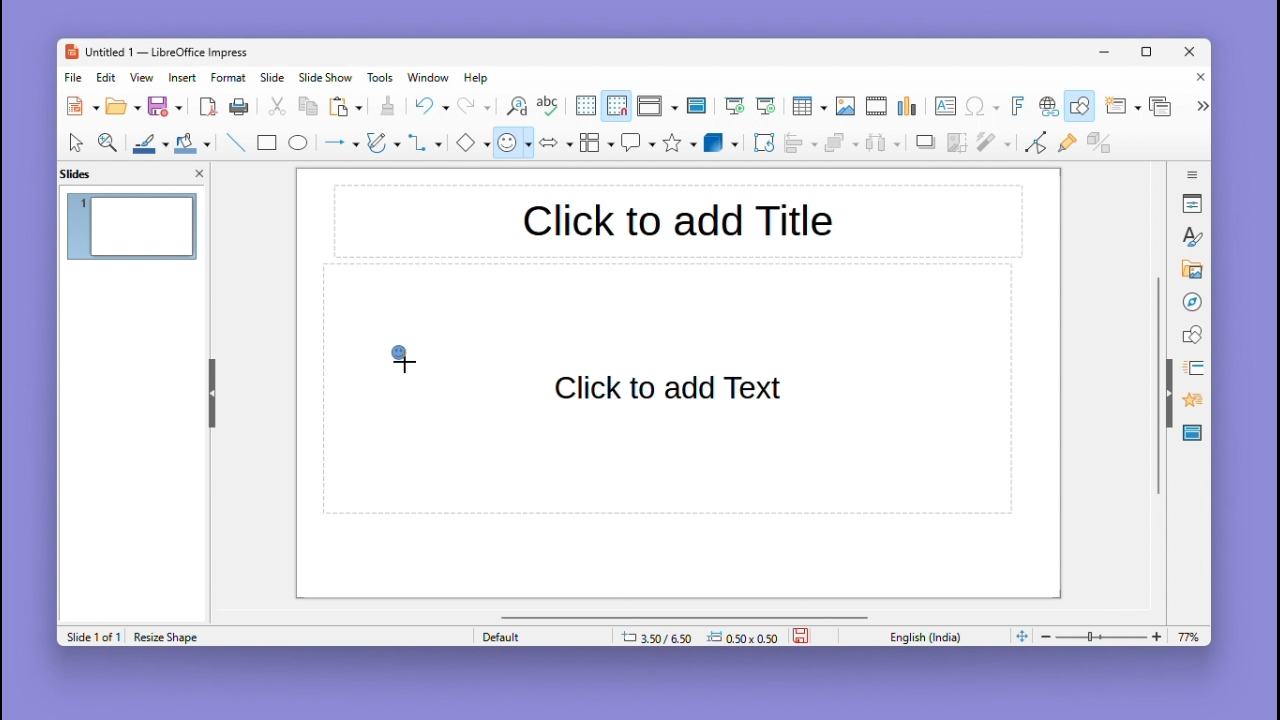 Image resolution: width=1280 pixels, height=720 pixels. What do you see at coordinates (133, 229) in the screenshot?
I see `current slide` at bounding box center [133, 229].